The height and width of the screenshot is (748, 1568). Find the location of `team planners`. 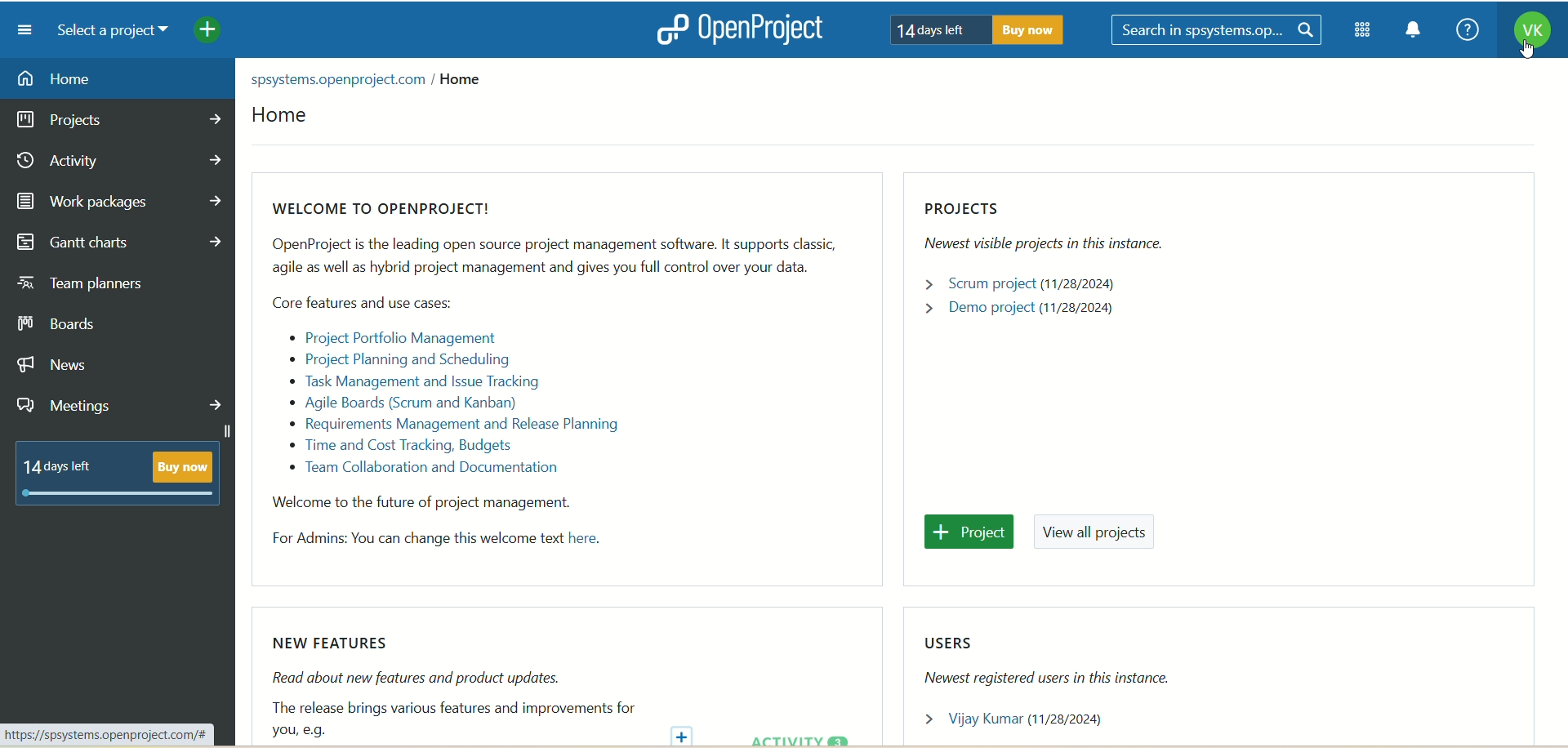

team planners is located at coordinates (100, 287).